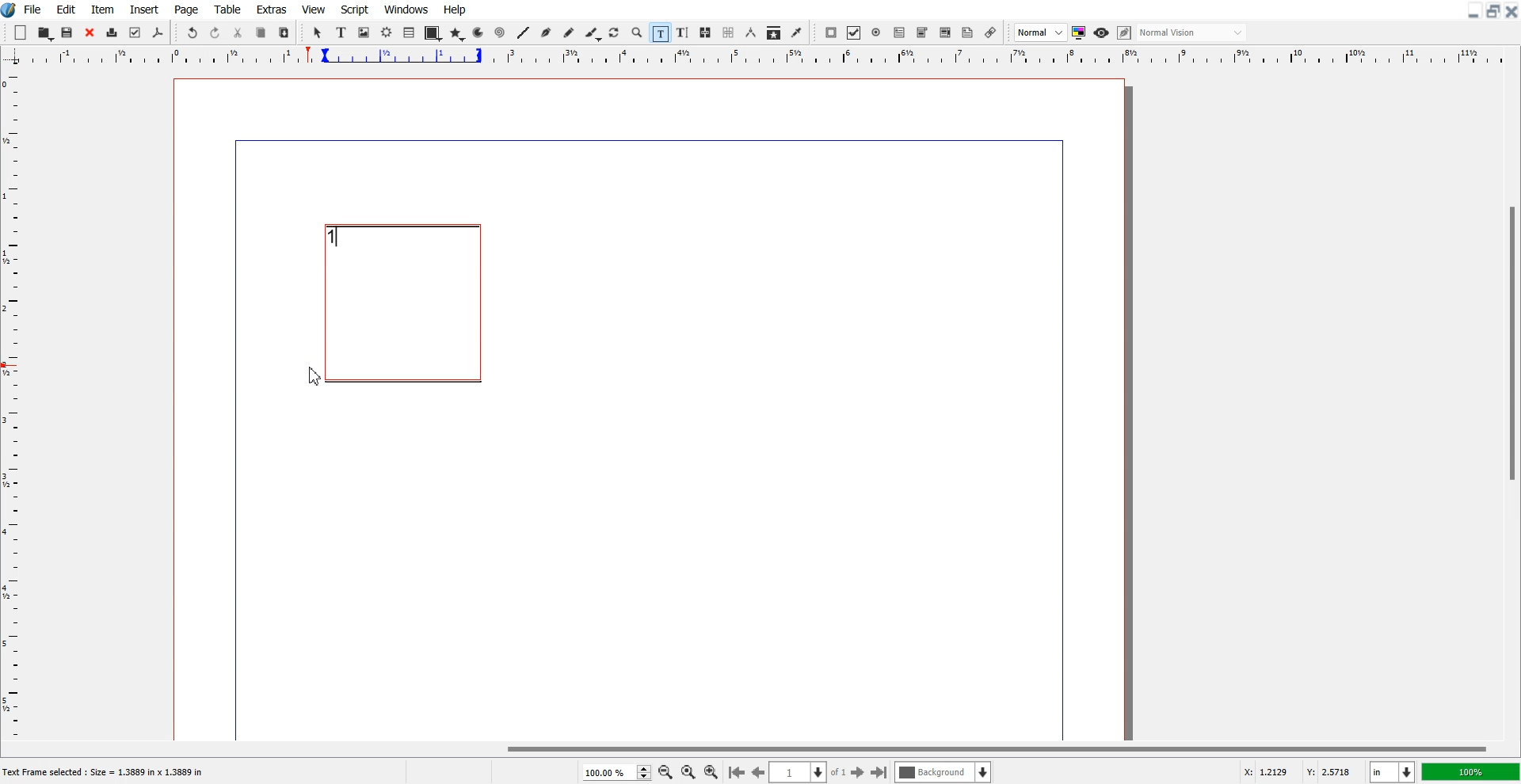 This screenshot has height=784, width=1521. What do you see at coordinates (760, 747) in the screenshot?
I see `Horizontal scroll bar` at bounding box center [760, 747].